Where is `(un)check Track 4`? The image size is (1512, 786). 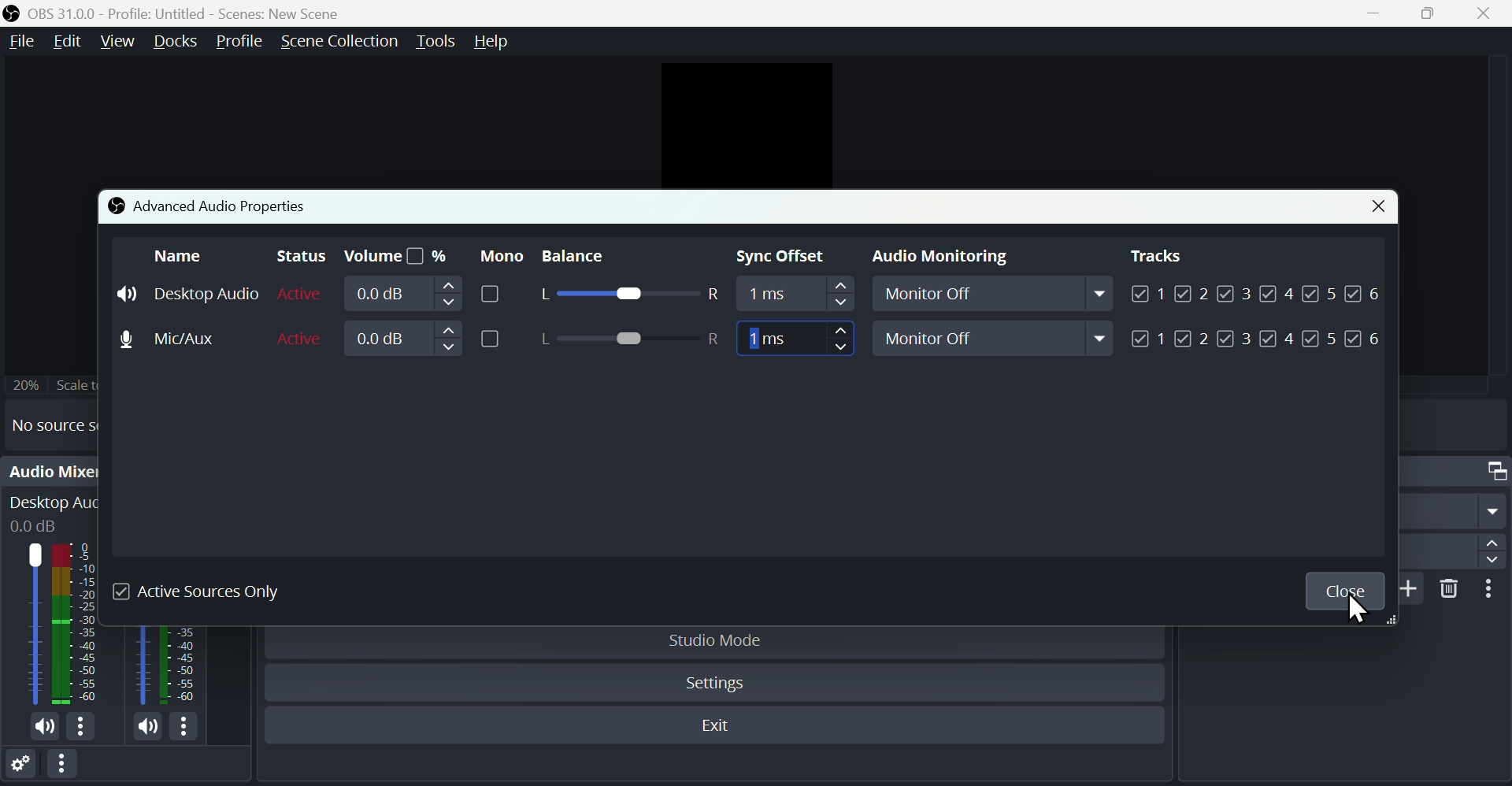 (un)check Track 4 is located at coordinates (1277, 292).